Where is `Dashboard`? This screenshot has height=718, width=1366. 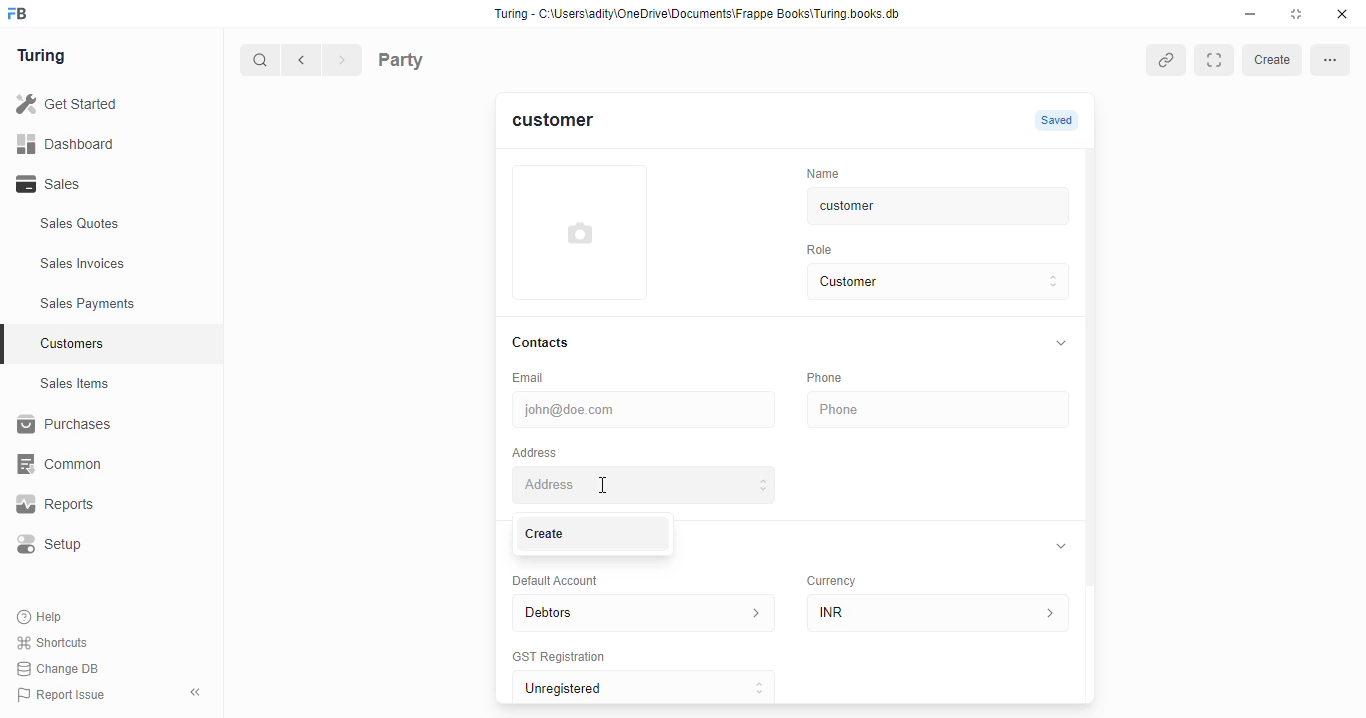 Dashboard is located at coordinates (95, 143).